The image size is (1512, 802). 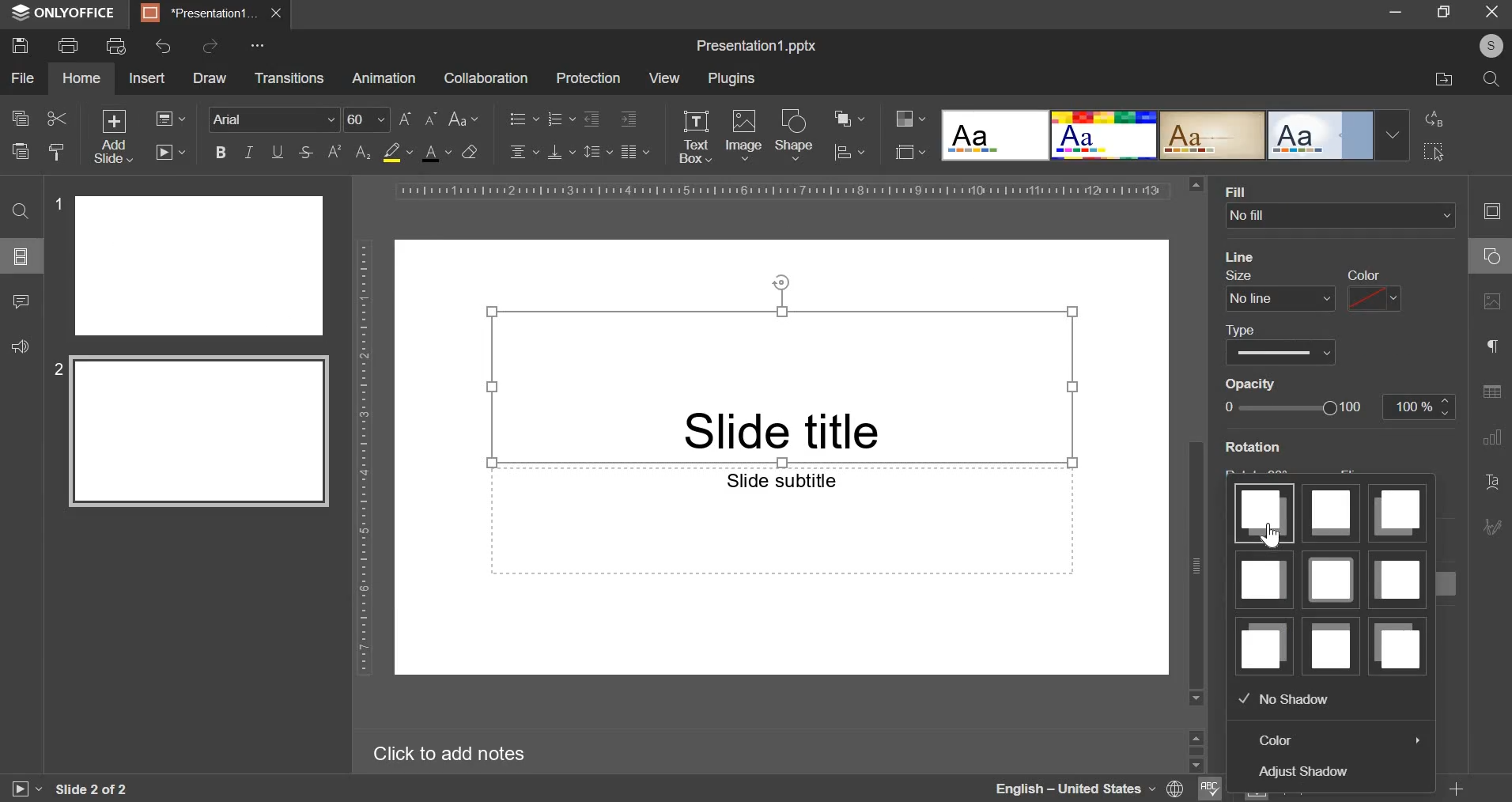 I want to click on line, so click(x=1242, y=256).